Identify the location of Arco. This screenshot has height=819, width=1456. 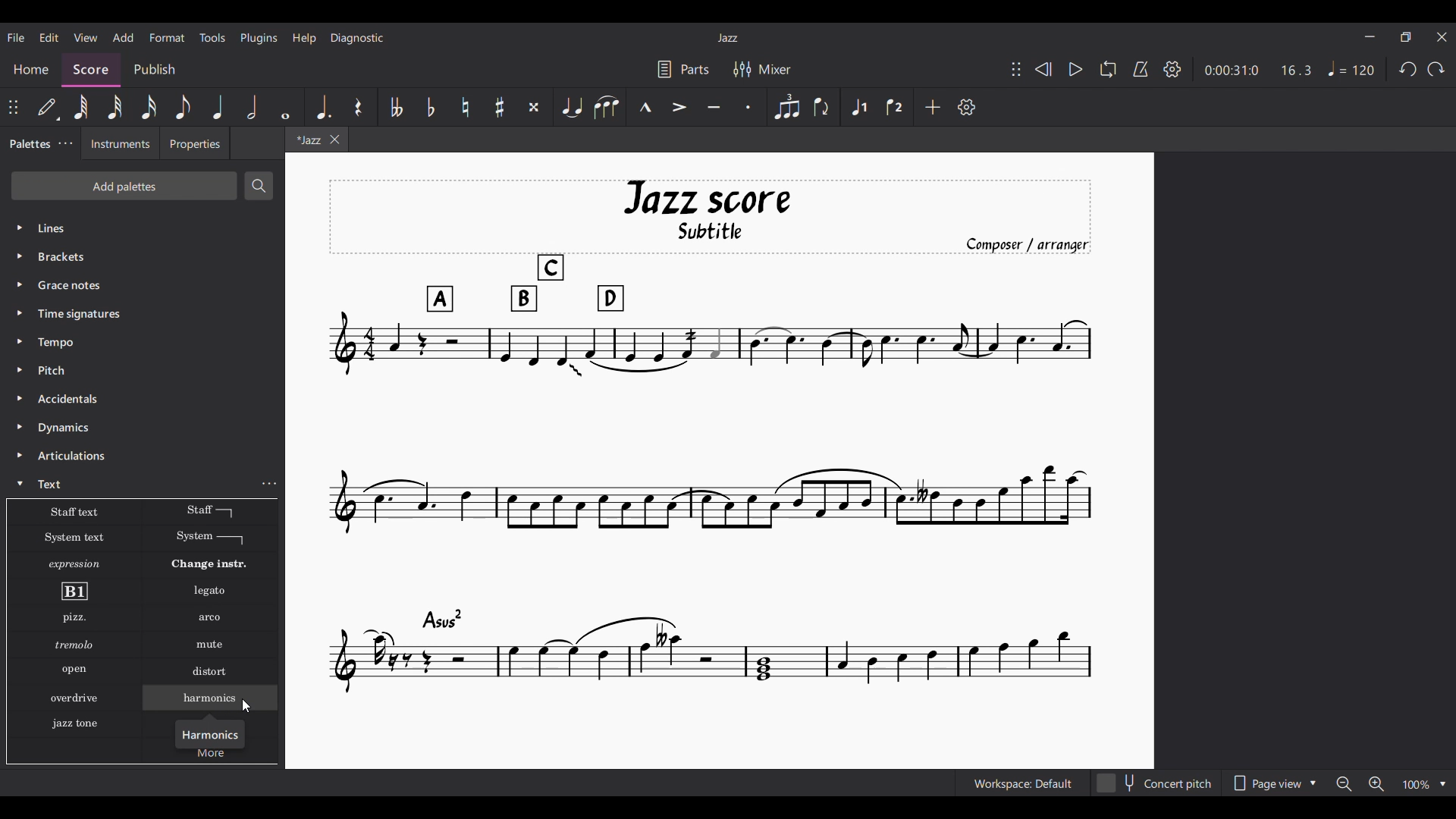
(211, 618).